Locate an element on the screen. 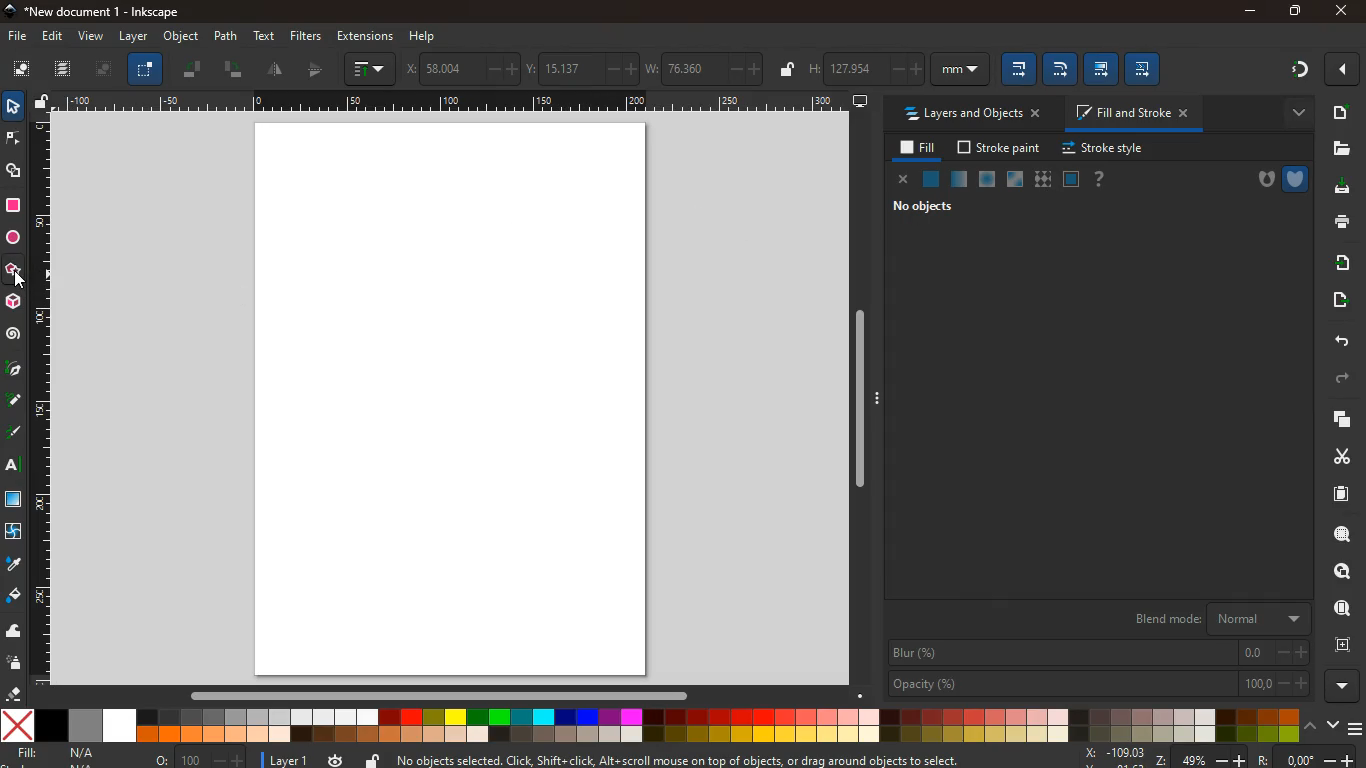 The height and width of the screenshot is (768, 1366). height is located at coordinates (896, 67).